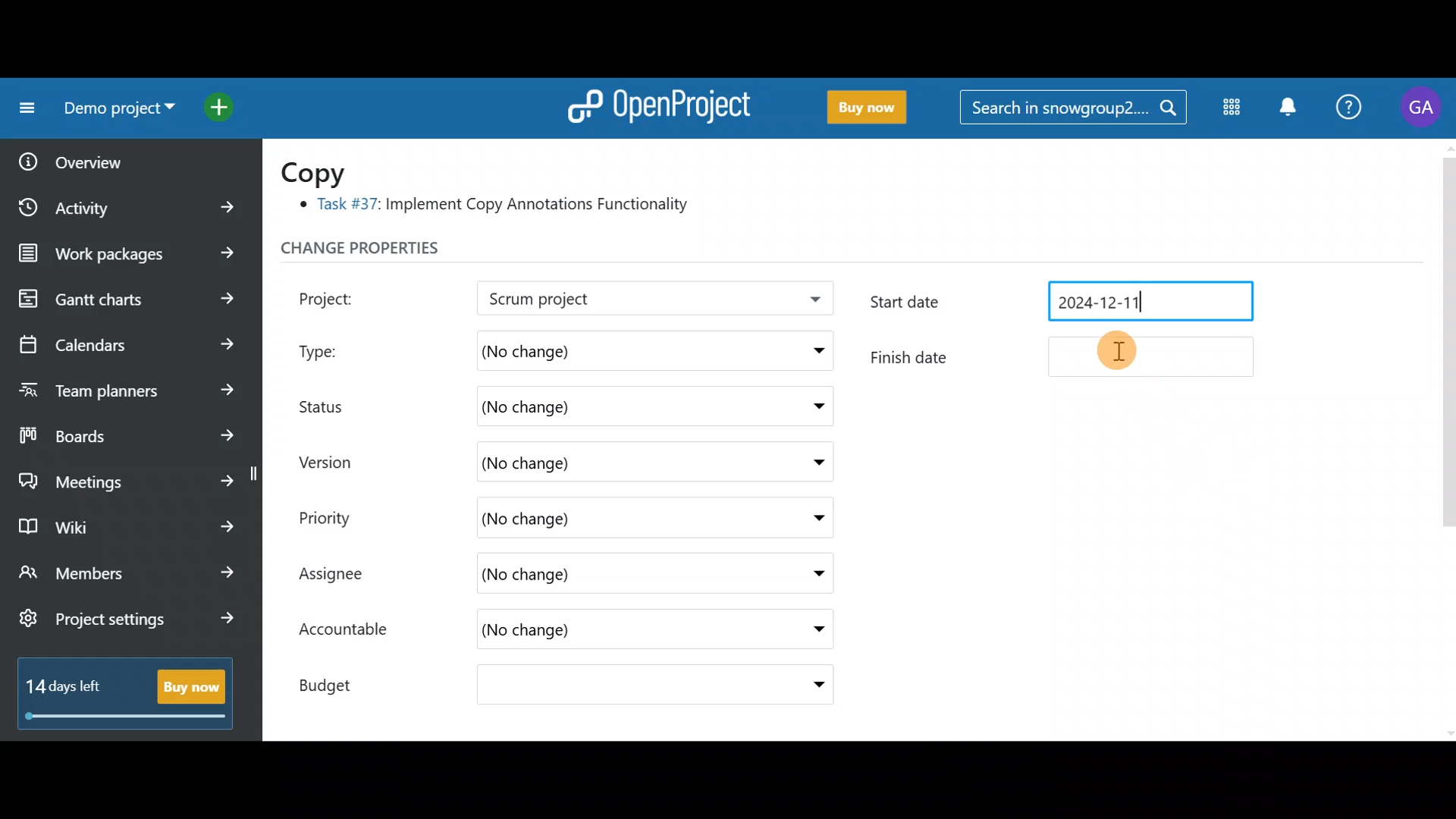  Describe the element at coordinates (599, 576) in the screenshot. I see `(No change)` at that location.